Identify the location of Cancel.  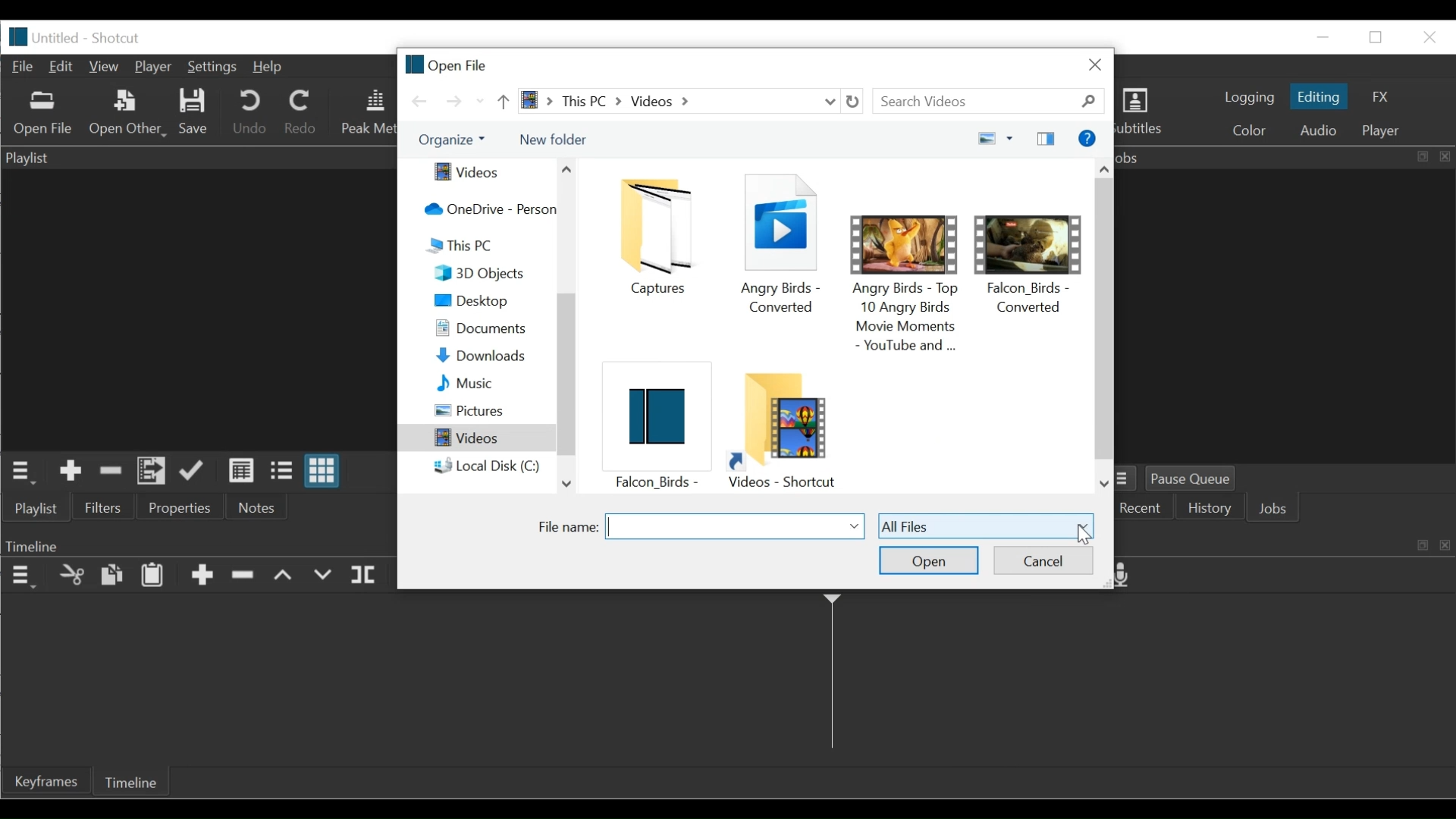
(1043, 560).